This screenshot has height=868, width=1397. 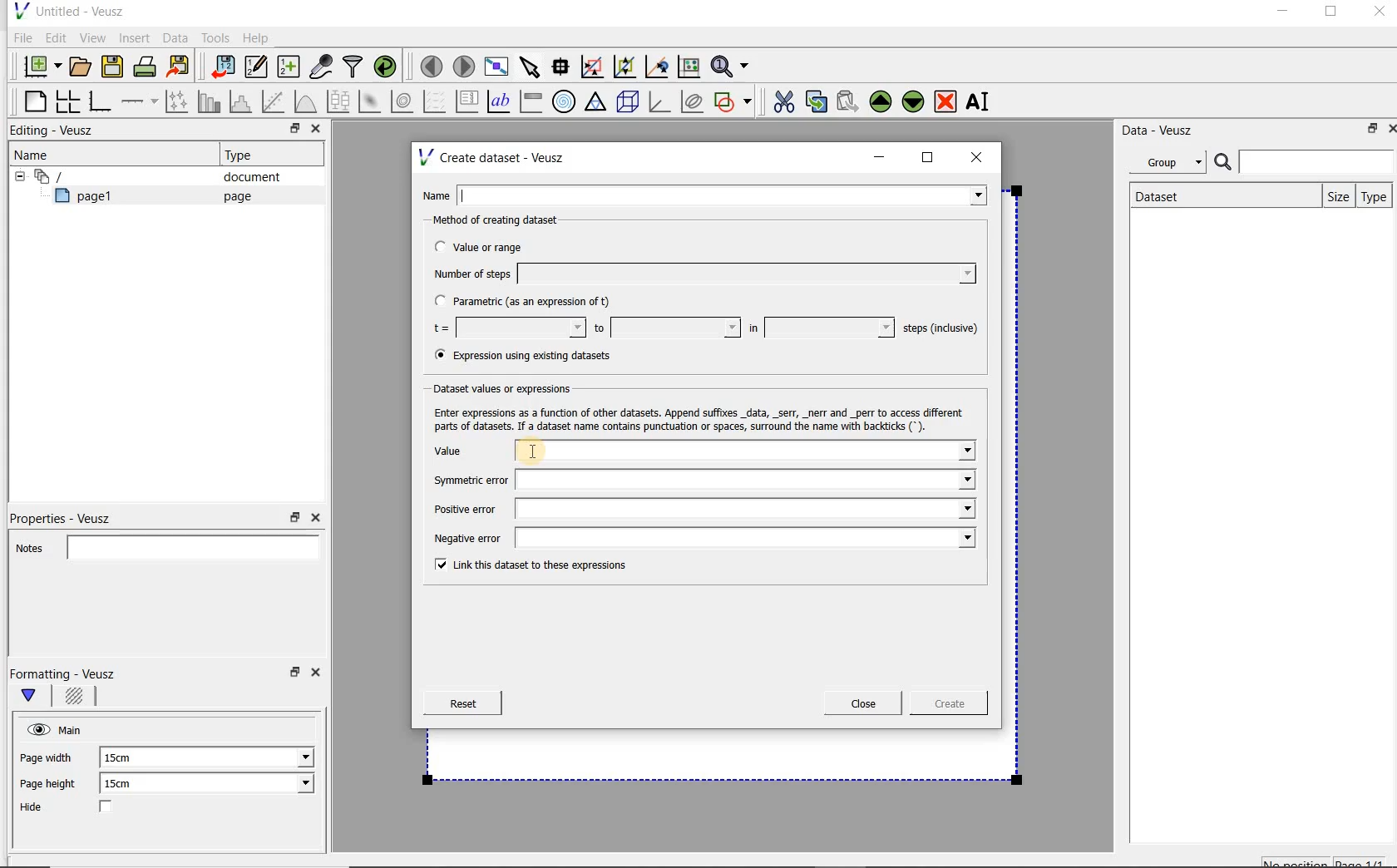 What do you see at coordinates (388, 67) in the screenshot?
I see `reload linked datasets` at bounding box center [388, 67].